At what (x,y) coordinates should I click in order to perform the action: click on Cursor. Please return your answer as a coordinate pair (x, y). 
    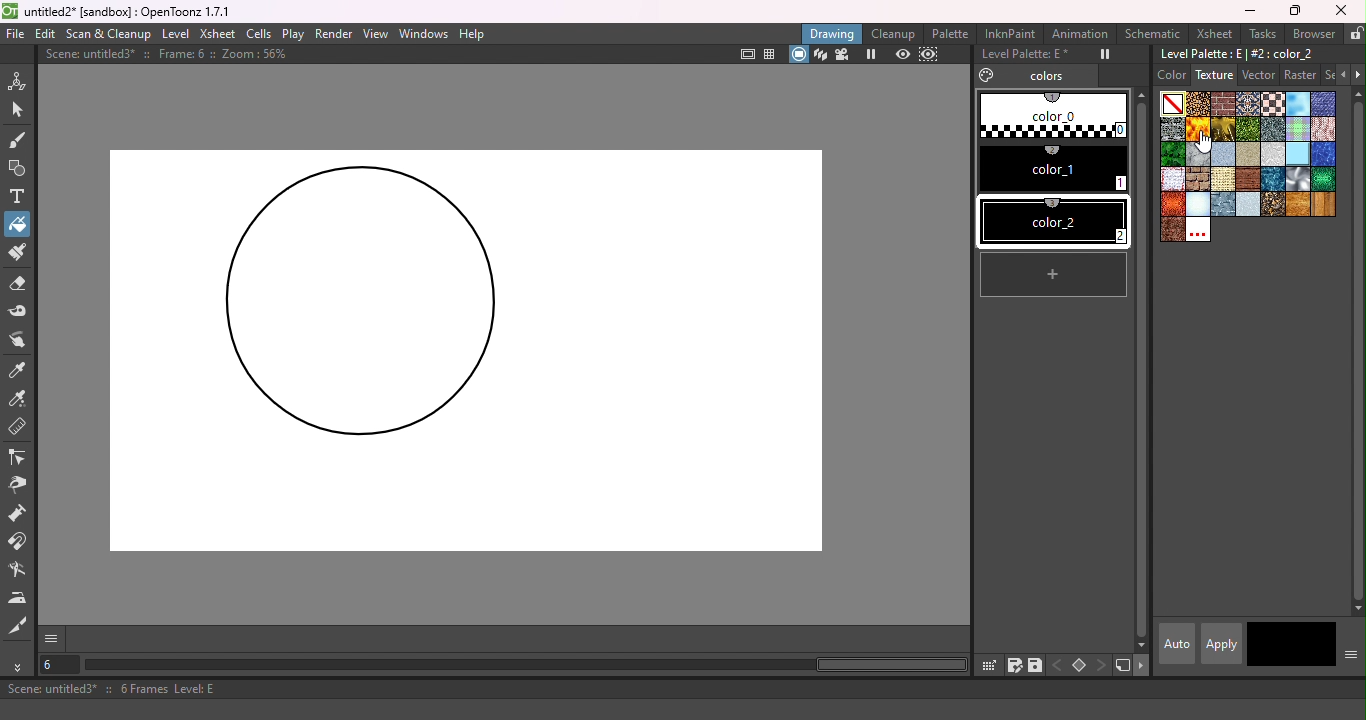
    Looking at the image, I should click on (37, 225).